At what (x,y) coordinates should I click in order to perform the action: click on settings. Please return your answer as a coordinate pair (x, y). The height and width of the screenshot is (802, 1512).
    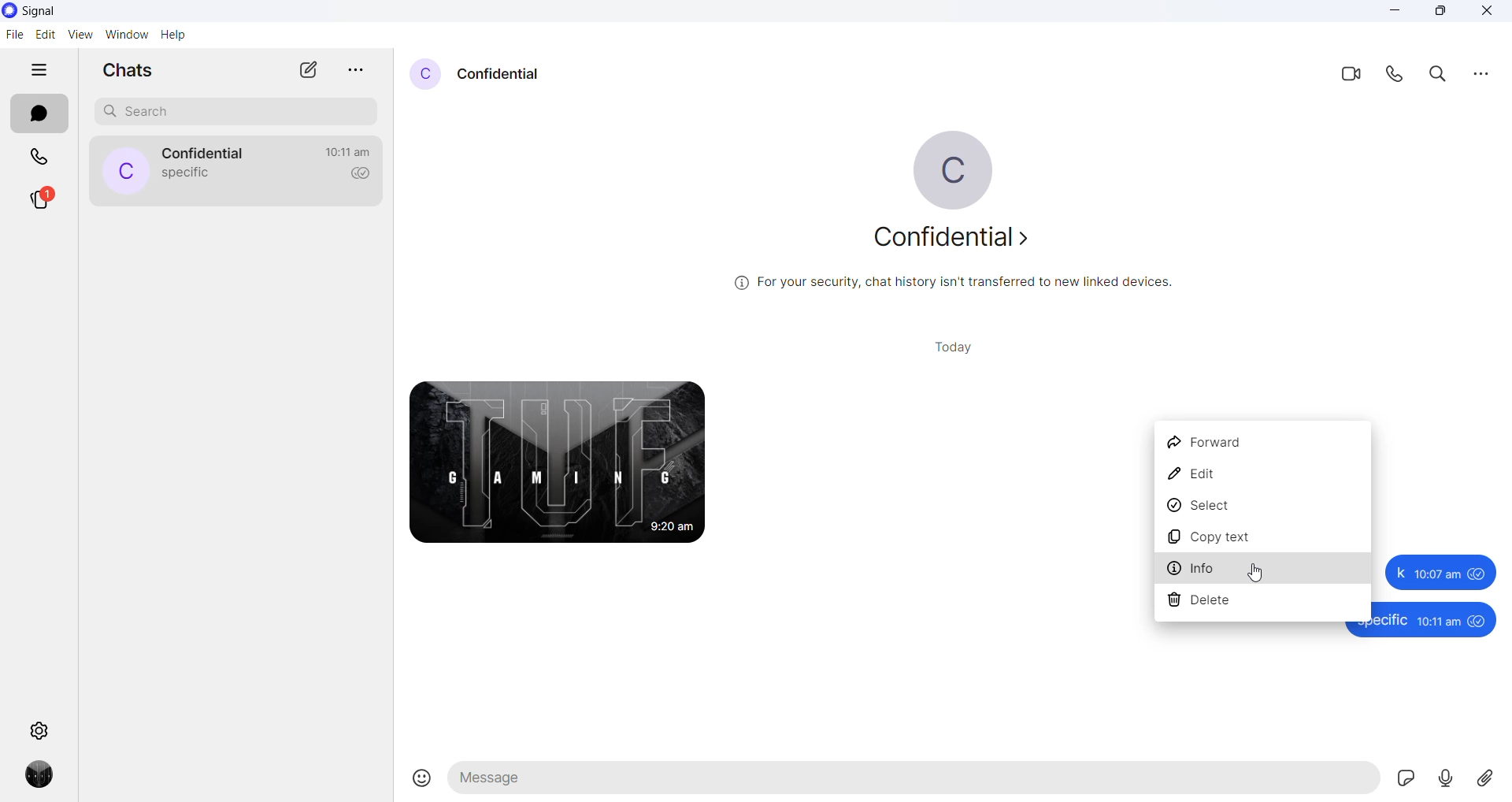
    Looking at the image, I should click on (40, 731).